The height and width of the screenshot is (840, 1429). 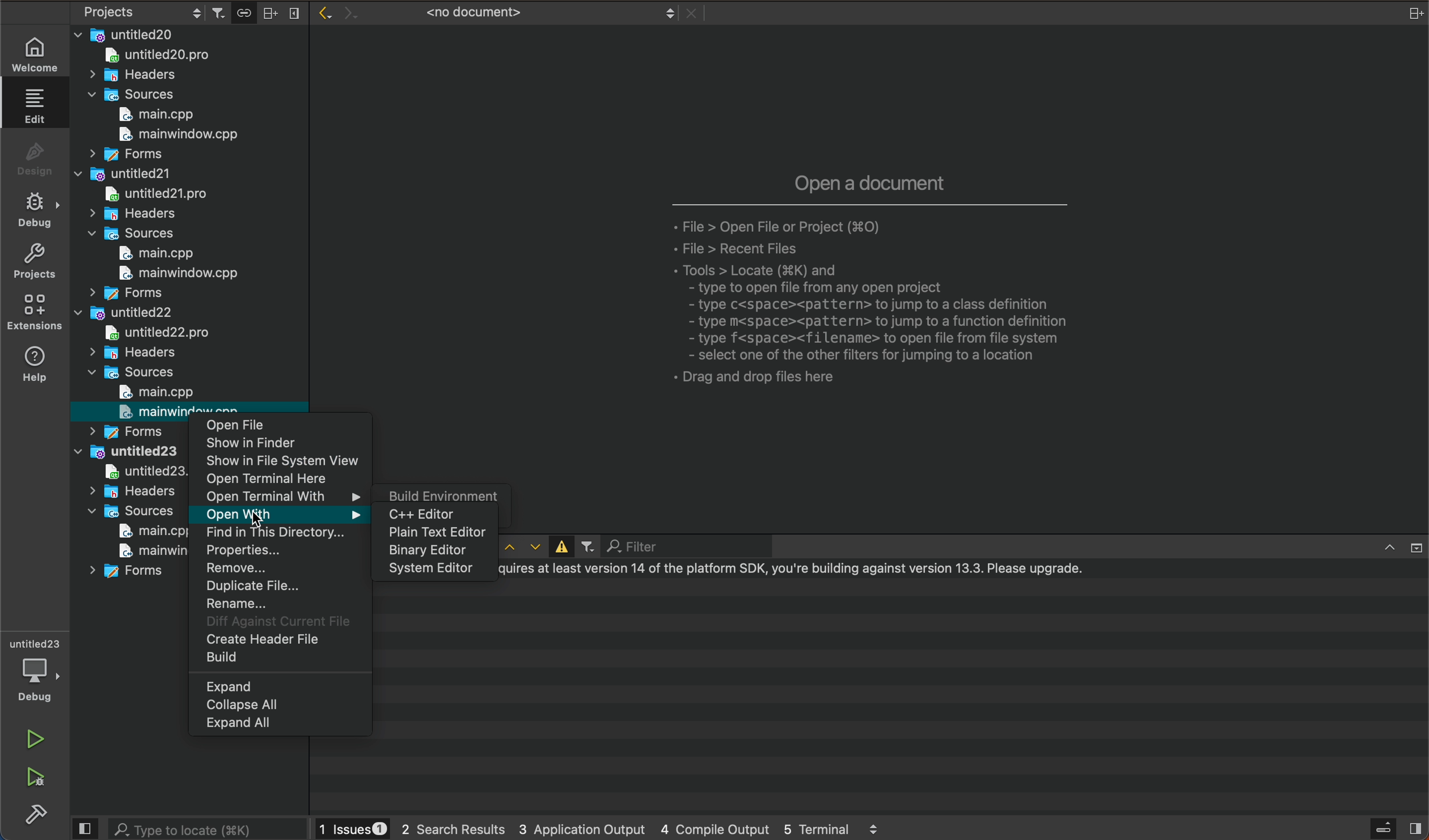 What do you see at coordinates (270, 11) in the screenshot?
I see `split editor horizontally` at bounding box center [270, 11].